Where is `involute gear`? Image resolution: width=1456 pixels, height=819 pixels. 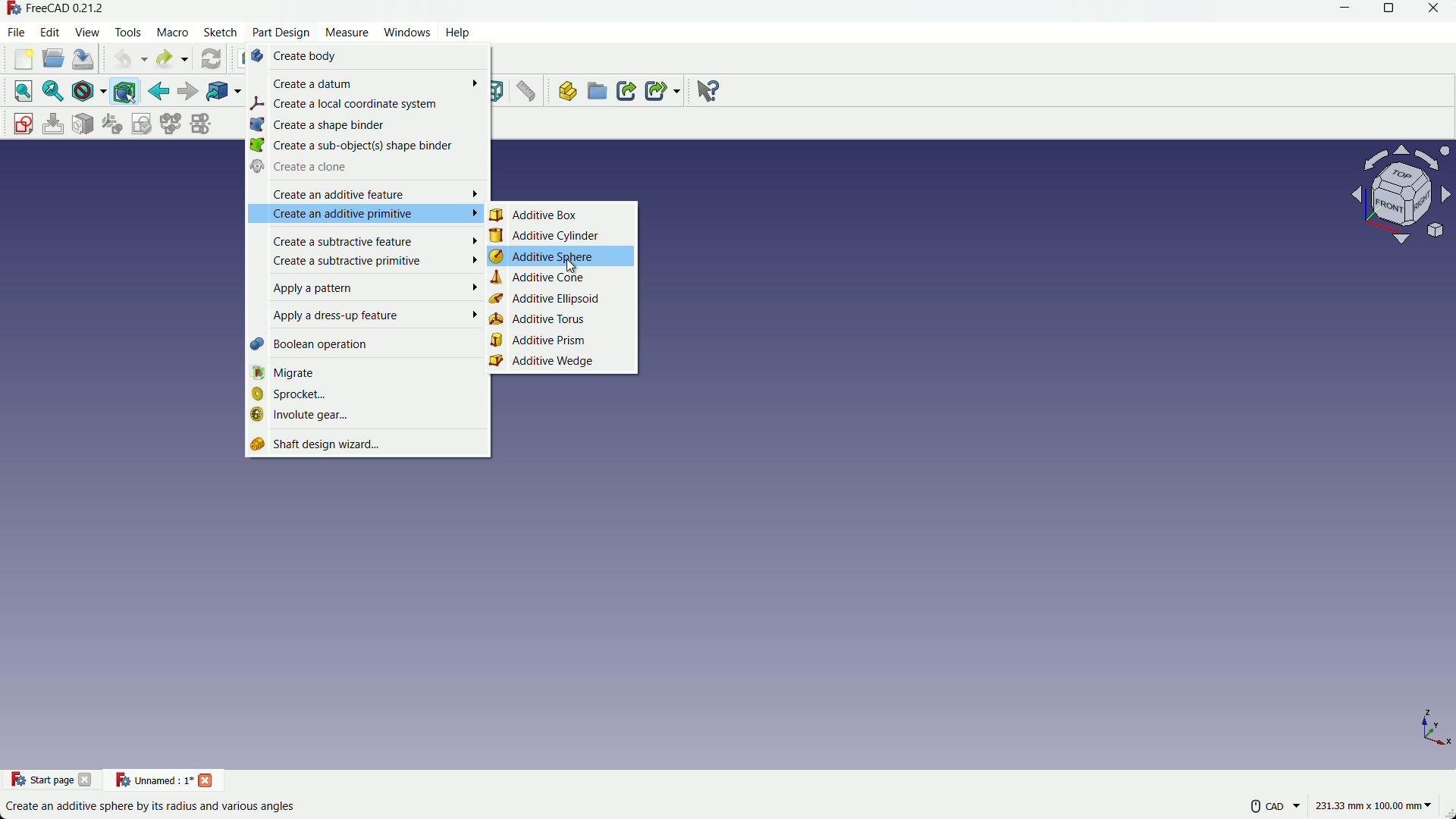
involute gear is located at coordinates (372, 419).